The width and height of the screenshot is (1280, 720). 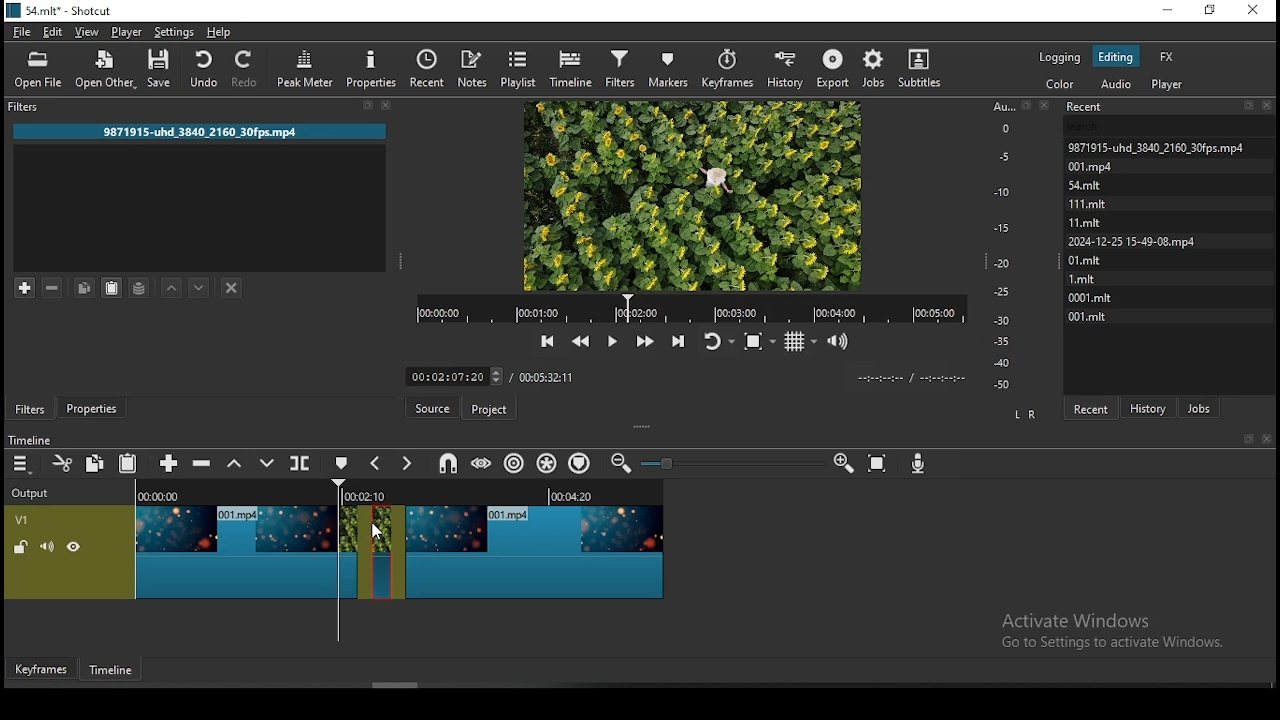 What do you see at coordinates (84, 288) in the screenshot?
I see `copy` at bounding box center [84, 288].